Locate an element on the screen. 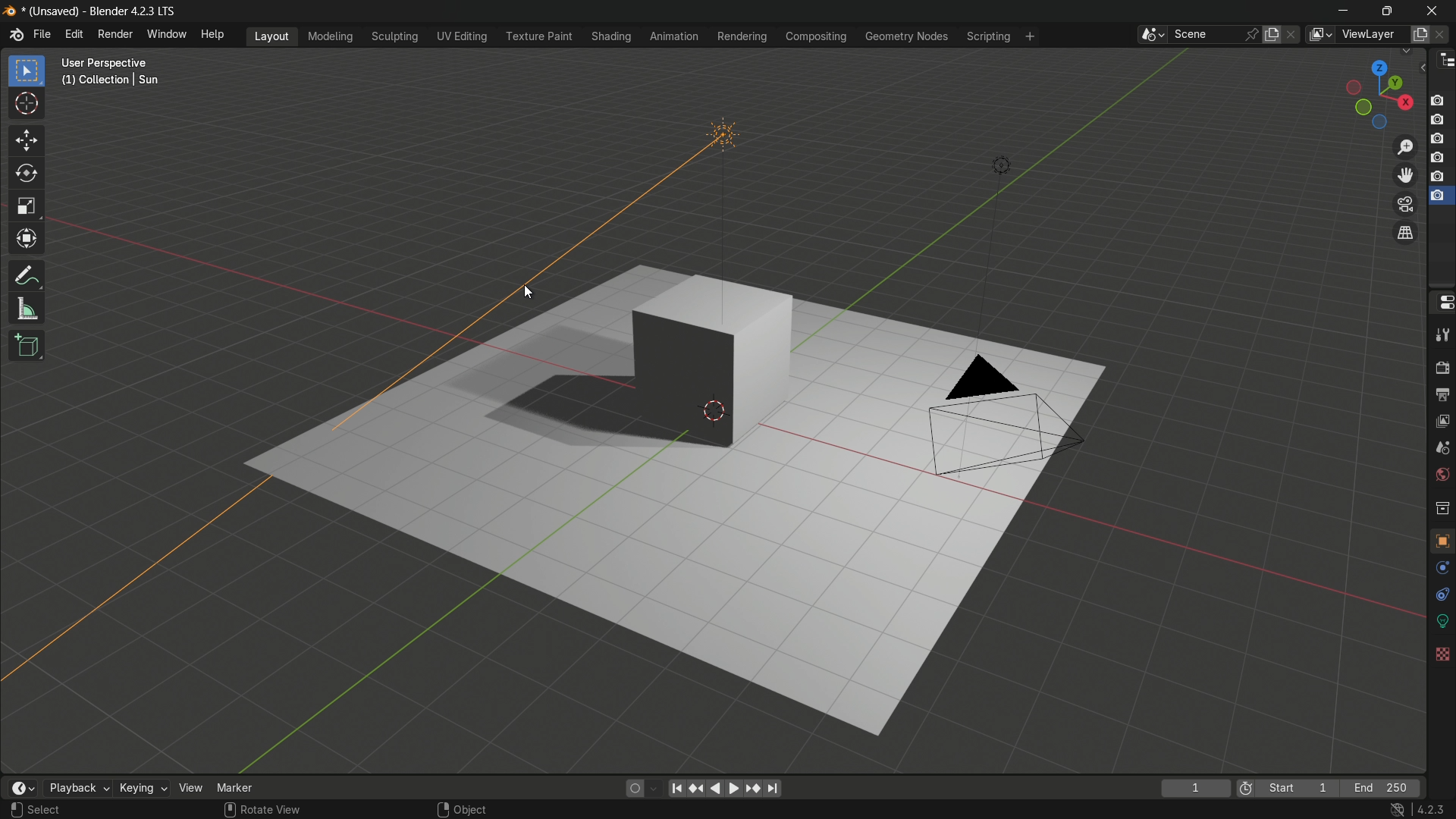 This screenshot has height=819, width=1456. layer 6 is located at coordinates (1437, 196).